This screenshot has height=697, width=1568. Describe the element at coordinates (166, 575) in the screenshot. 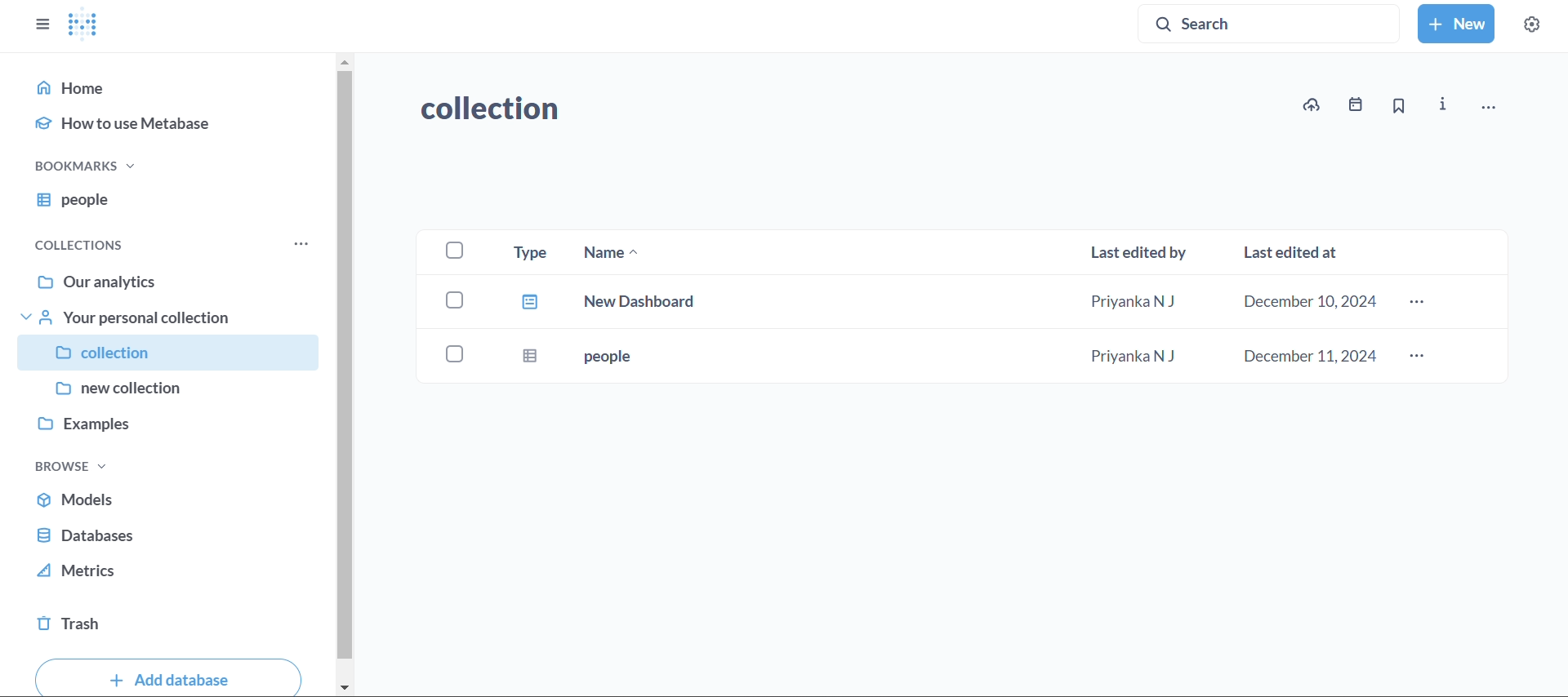

I see `metrics` at that location.